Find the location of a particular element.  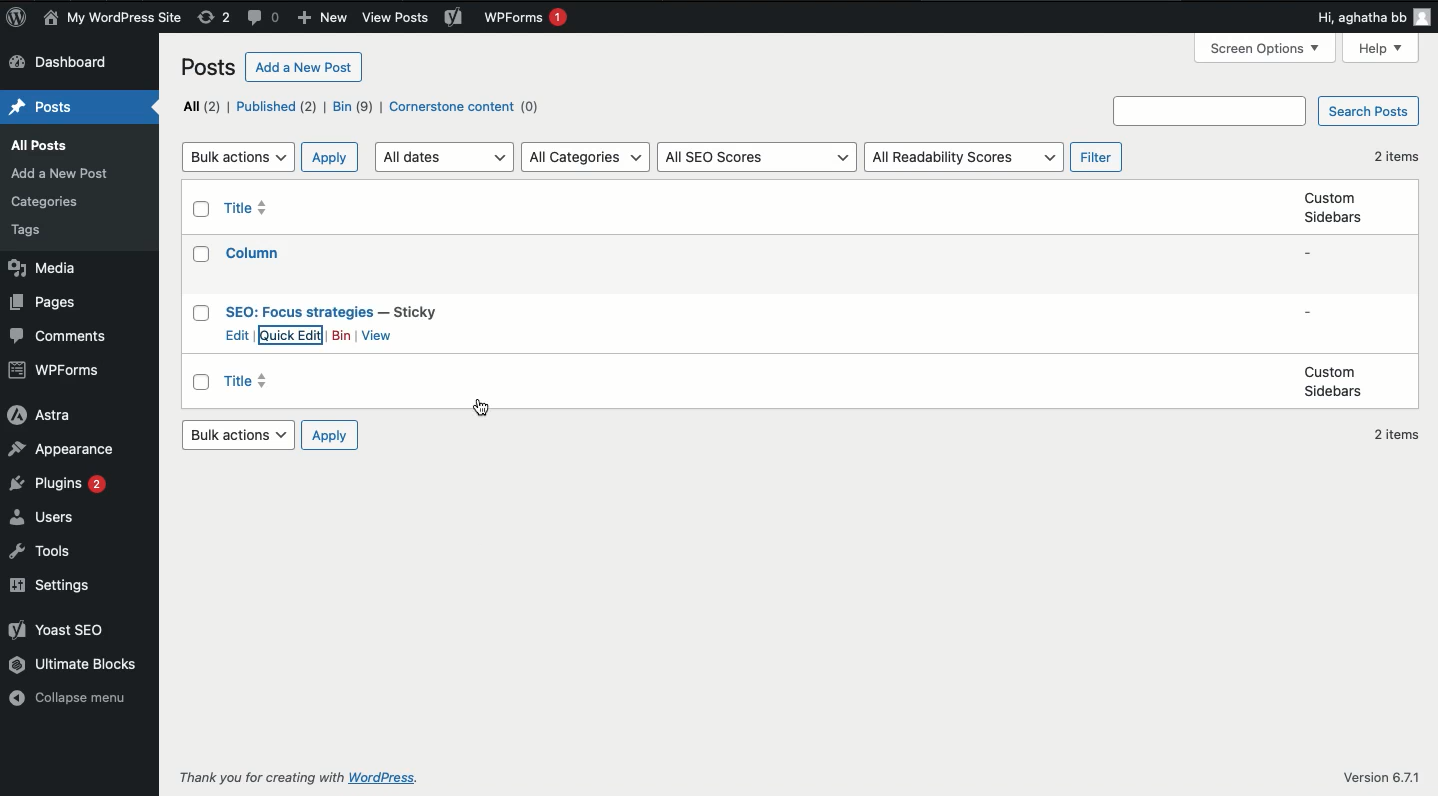

Yoast SEO is located at coordinates (56, 628).